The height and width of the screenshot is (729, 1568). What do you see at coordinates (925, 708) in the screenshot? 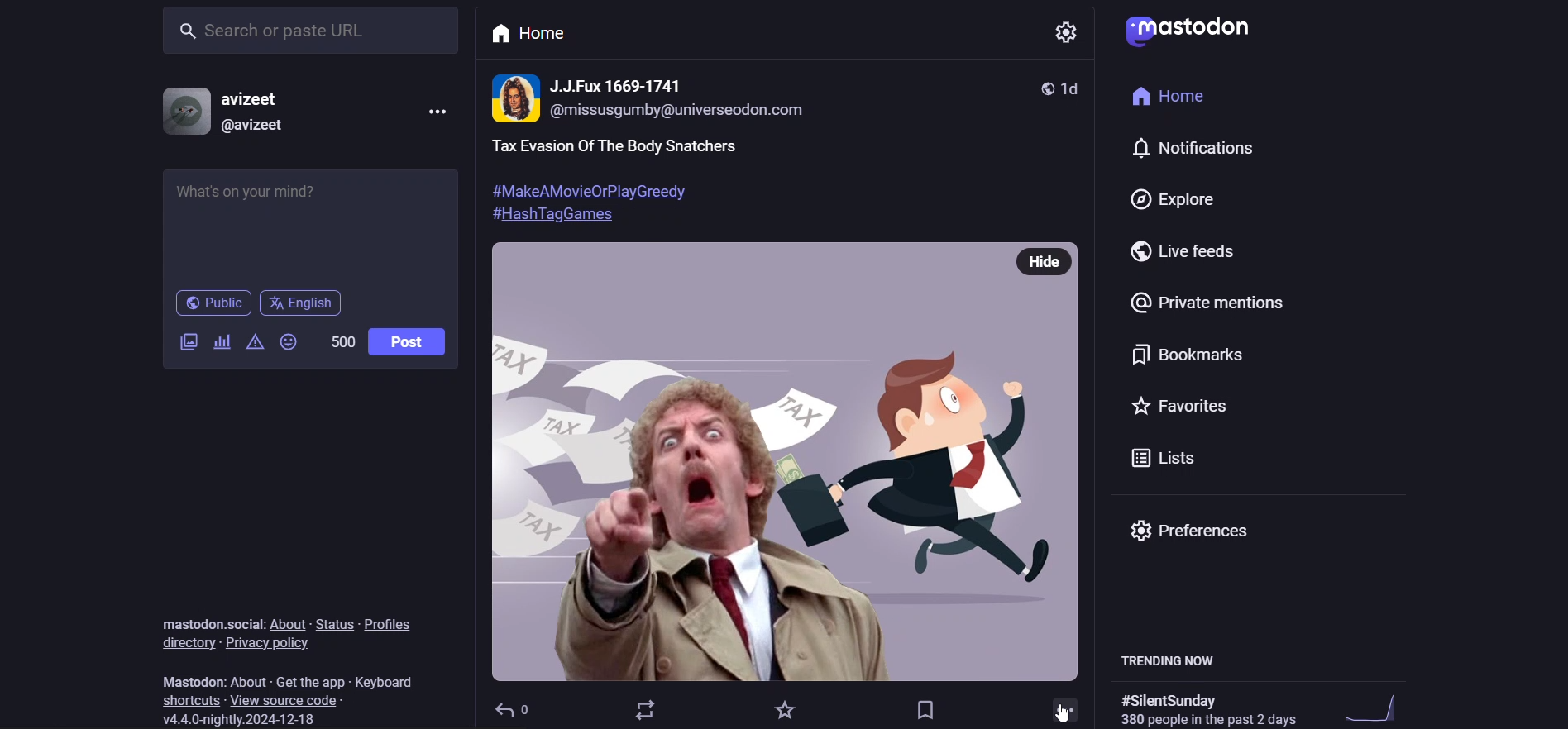
I see `bookmark` at bounding box center [925, 708].